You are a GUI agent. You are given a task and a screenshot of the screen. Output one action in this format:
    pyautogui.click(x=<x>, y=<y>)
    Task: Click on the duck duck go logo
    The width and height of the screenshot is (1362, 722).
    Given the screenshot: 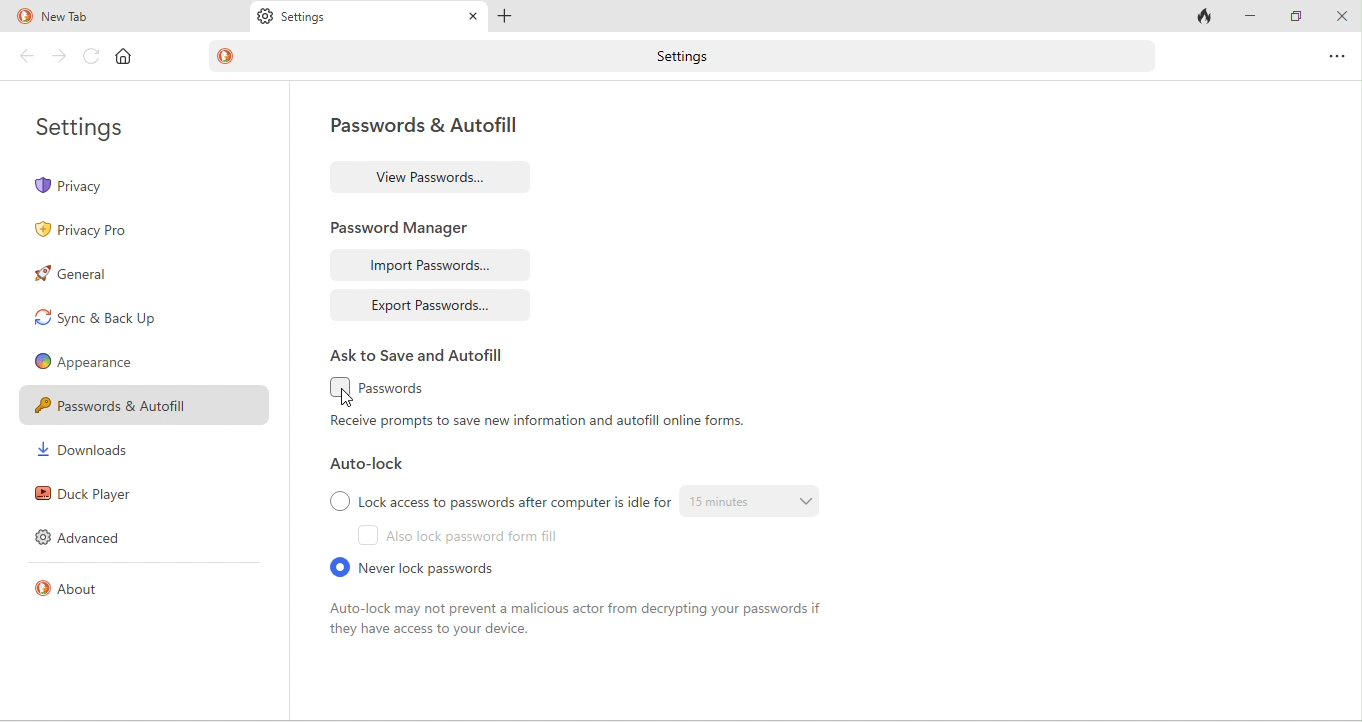 What is the action you would take?
    pyautogui.click(x=22, y=15)
    